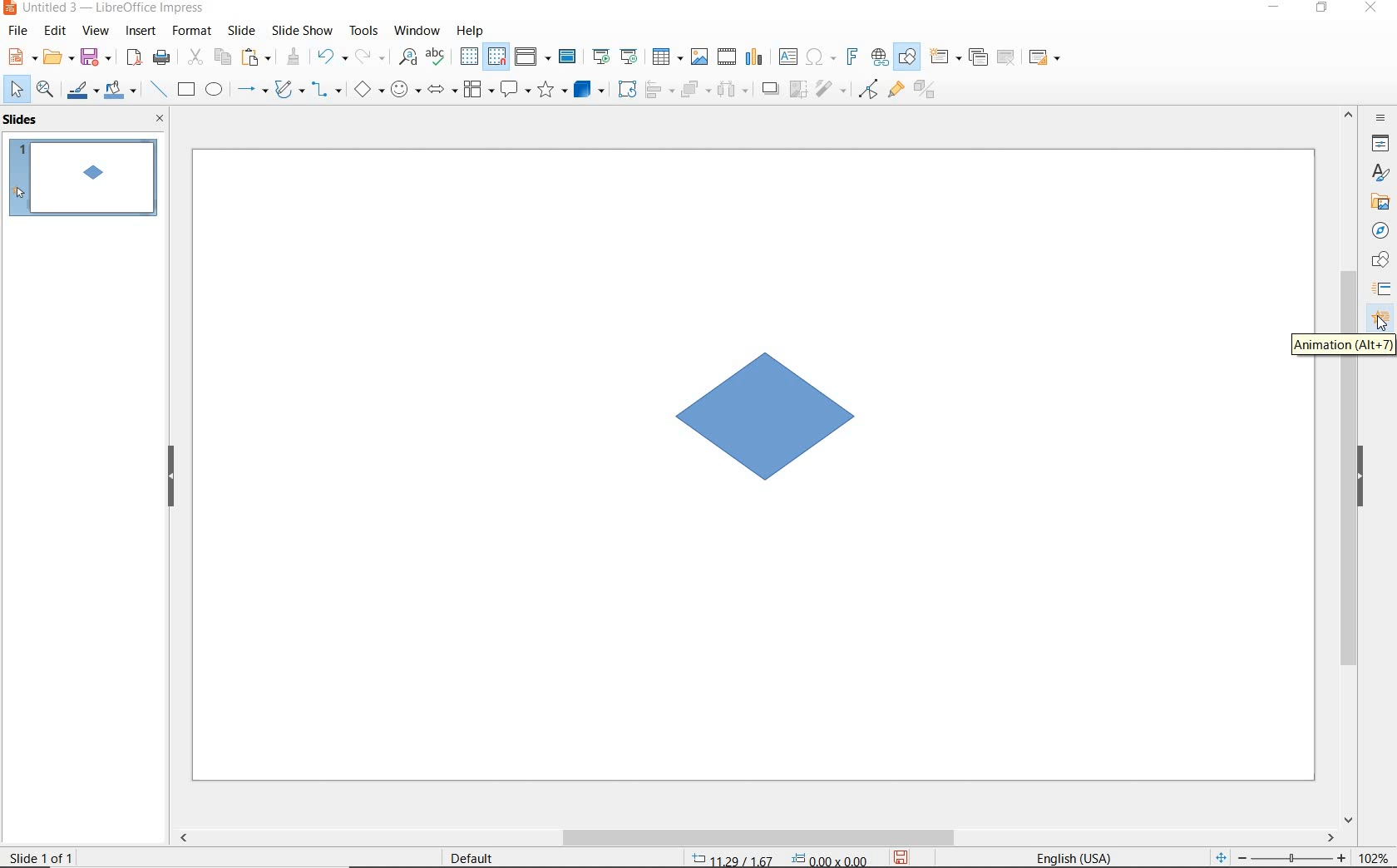 This screenshot has width=1397, height=868. I want to click on element, so click(782, 421).